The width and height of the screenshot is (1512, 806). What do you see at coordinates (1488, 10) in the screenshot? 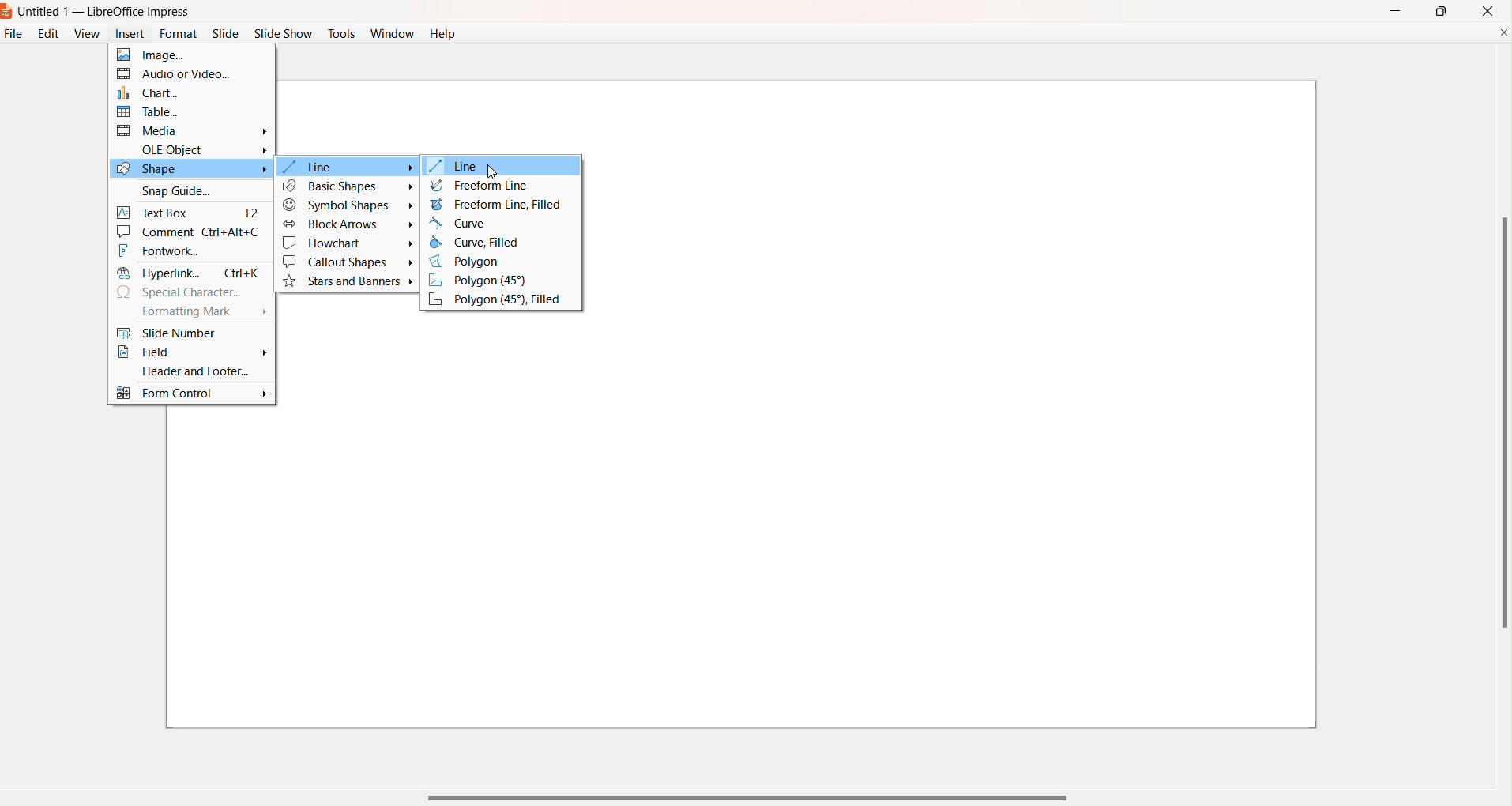
I see `close` at bounding box center [1488, 10].